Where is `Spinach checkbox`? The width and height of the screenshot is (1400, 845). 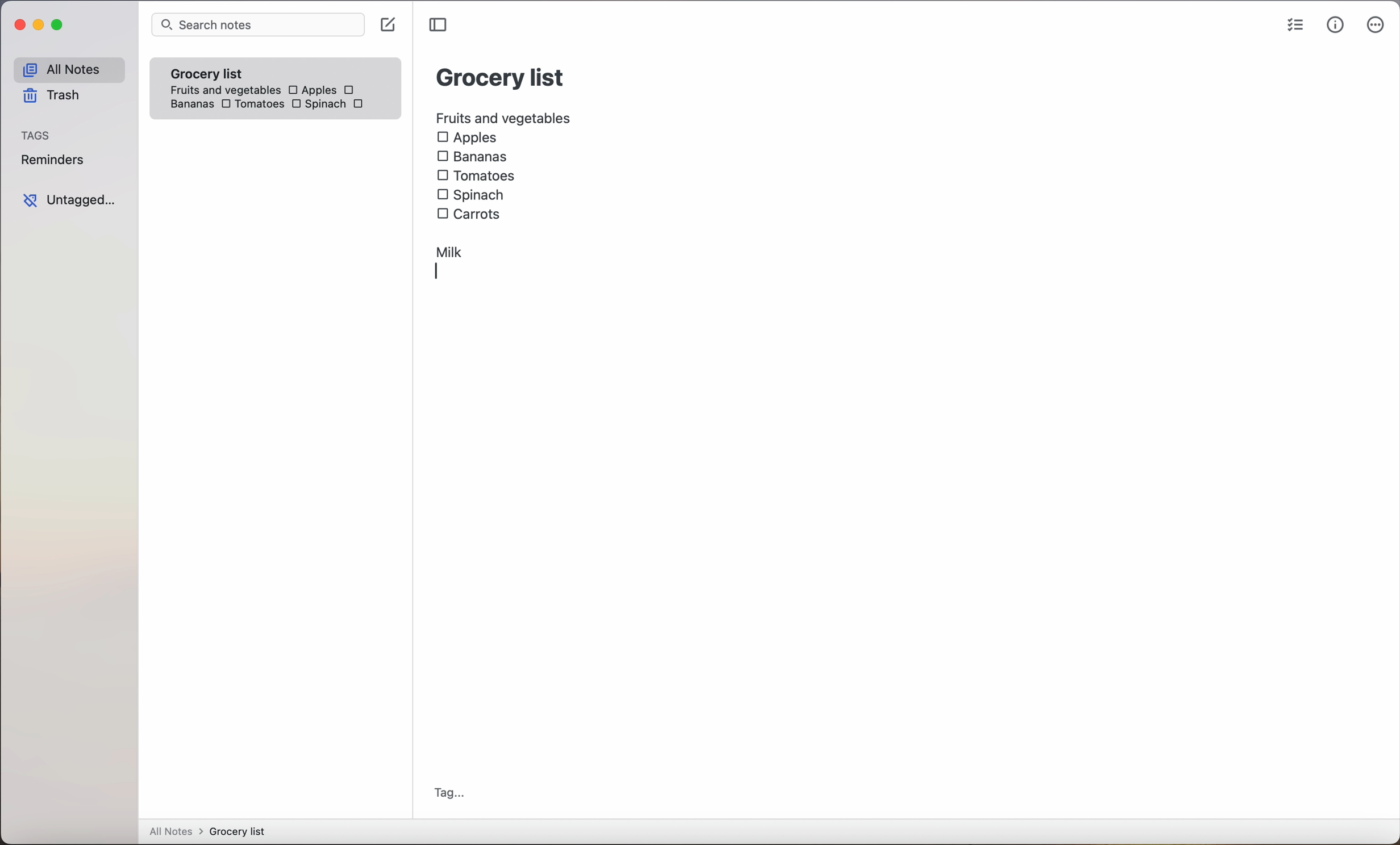 Spinach checkbox is located at coordinates (318, 106).